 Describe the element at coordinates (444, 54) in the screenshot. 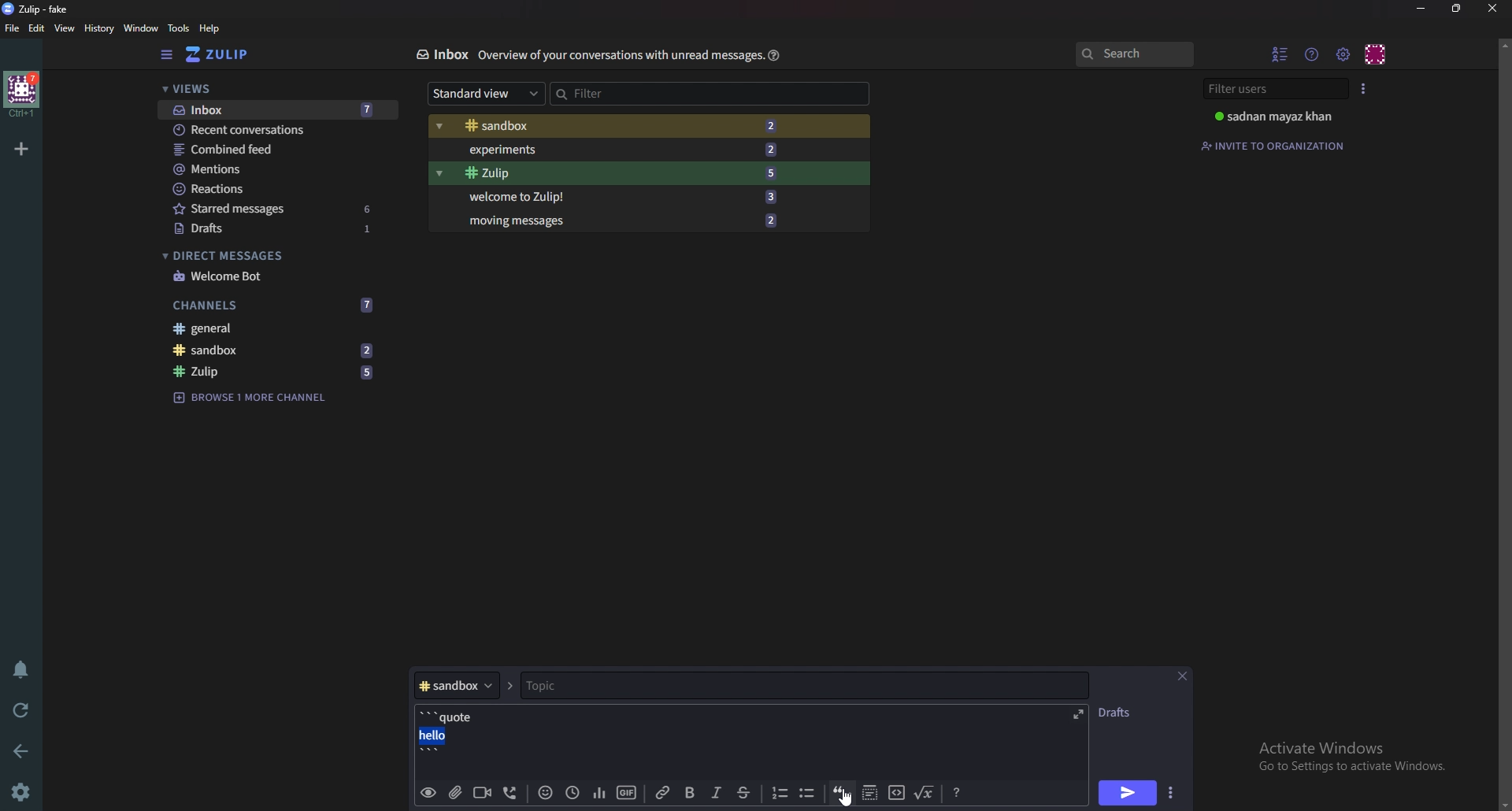

I see `Inbox` at that location.